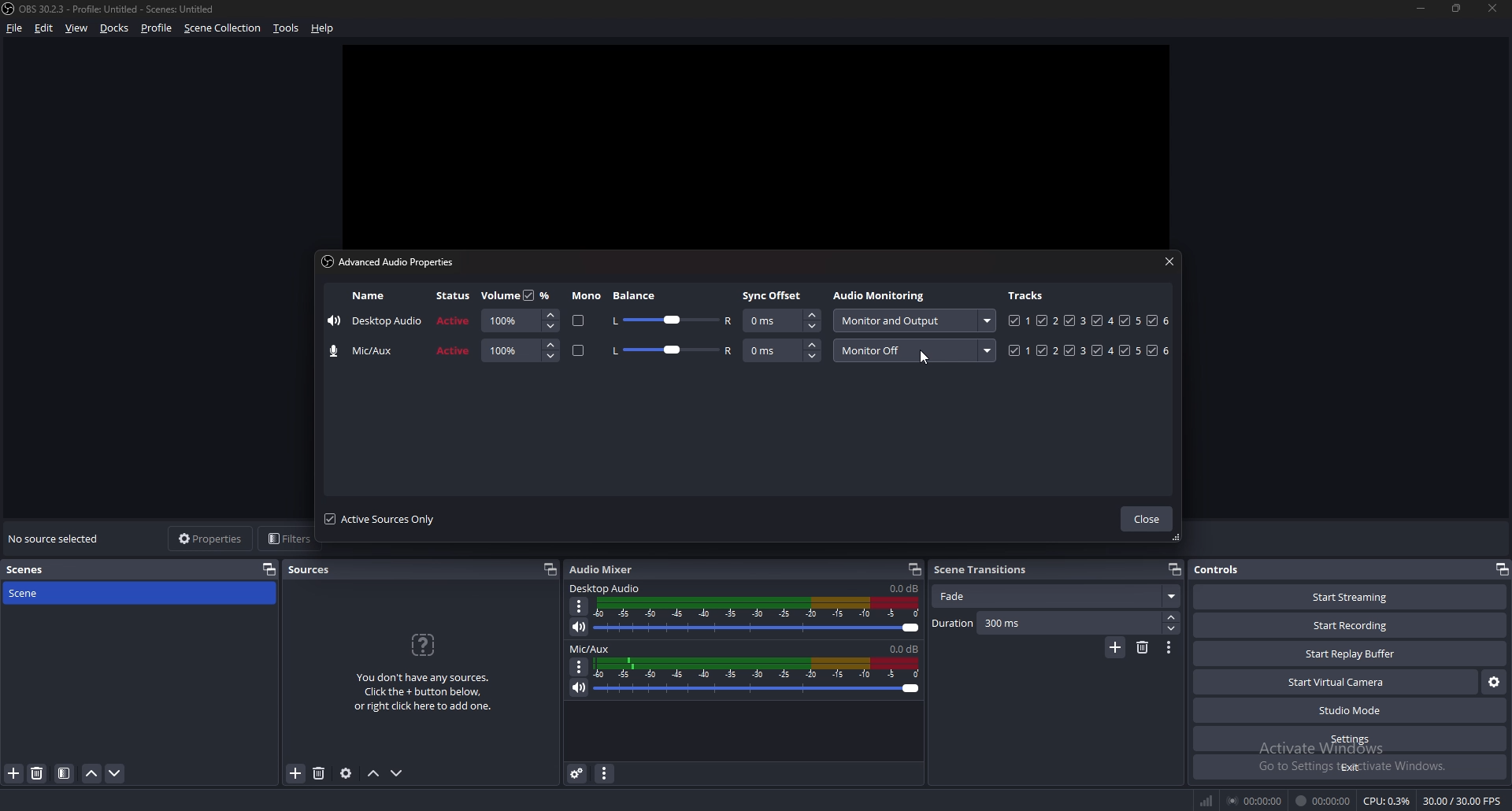 Image resolution: width=1512 pixels, height=811 pixels. What do you see at coordinates (915, 569) in the screenshot?
I see `popout` at bounding box center [915, 569].